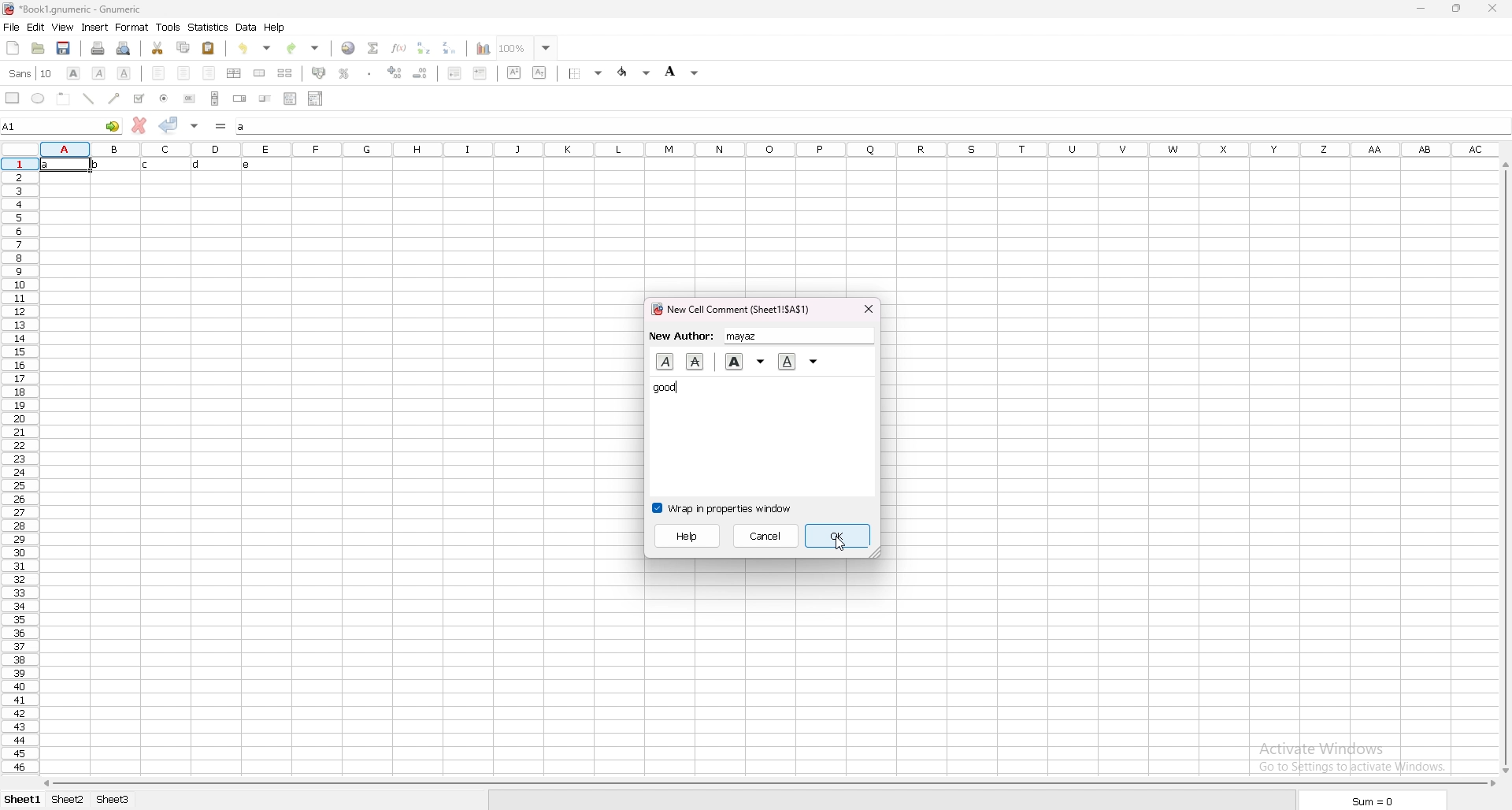  Describe the element at coordinates (586, 73) in the screenshot. I see `border` at that location.